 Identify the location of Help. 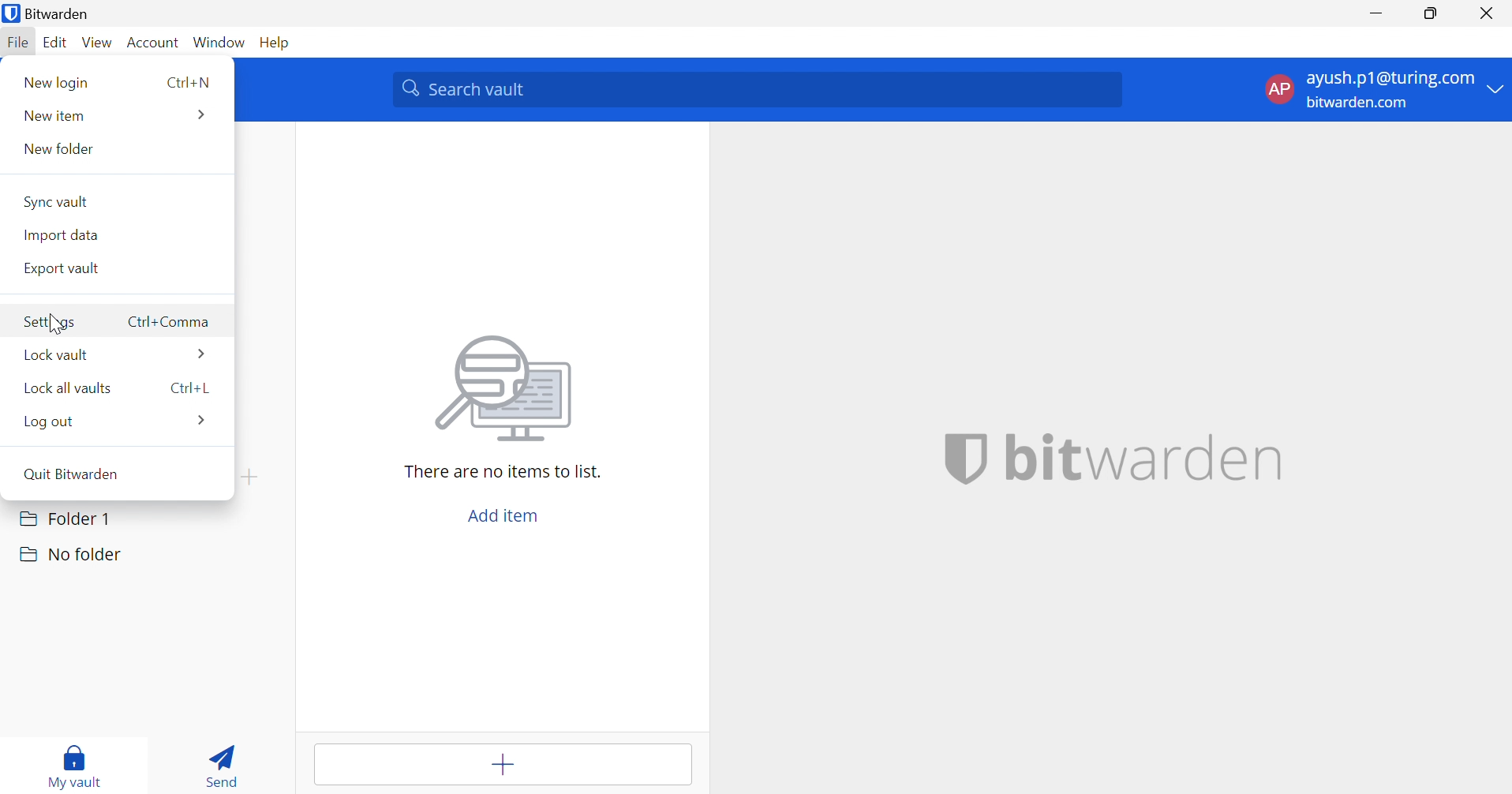
(278, 41).